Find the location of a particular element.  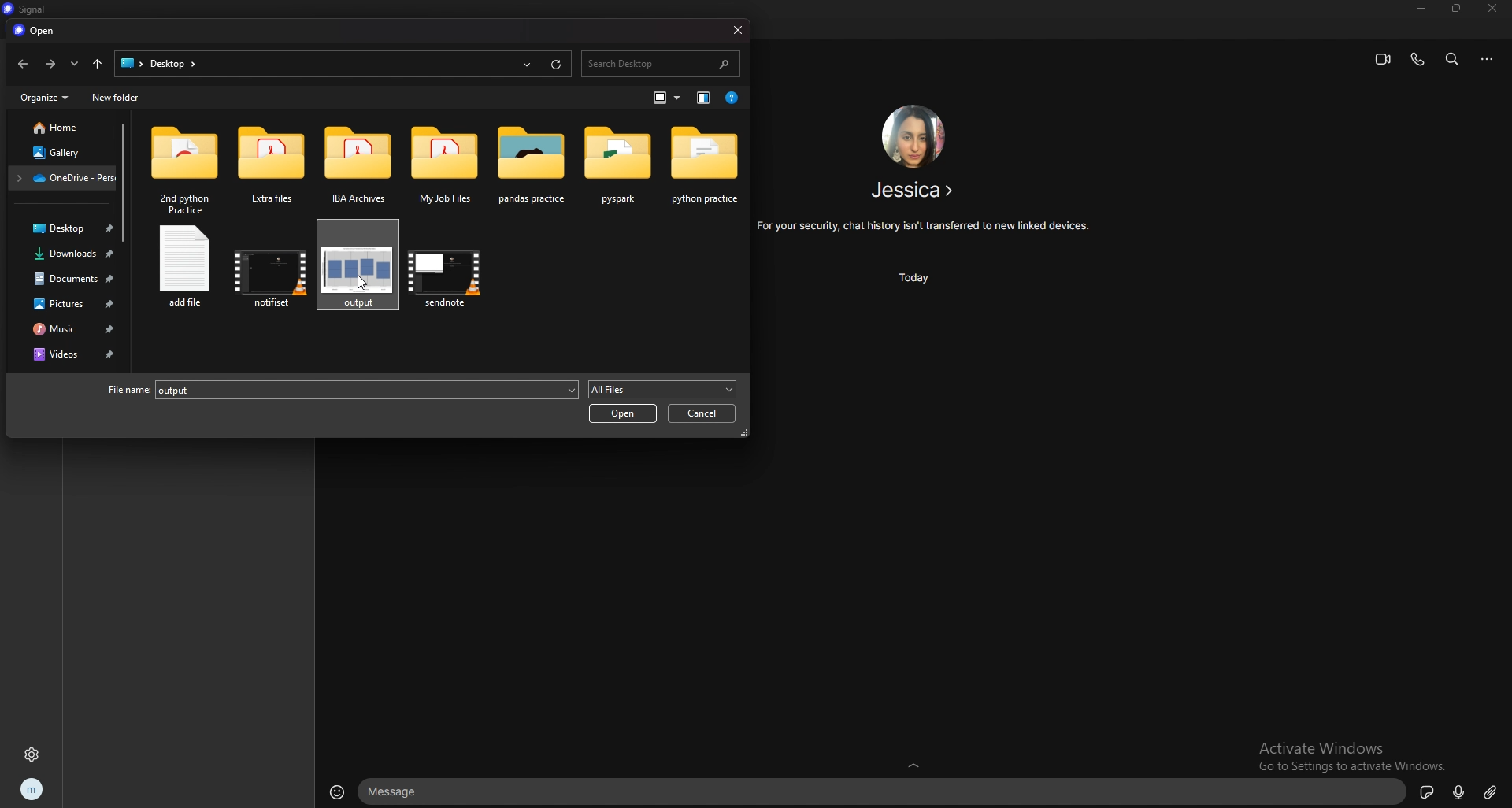

open is located at coordinates (35, 32).